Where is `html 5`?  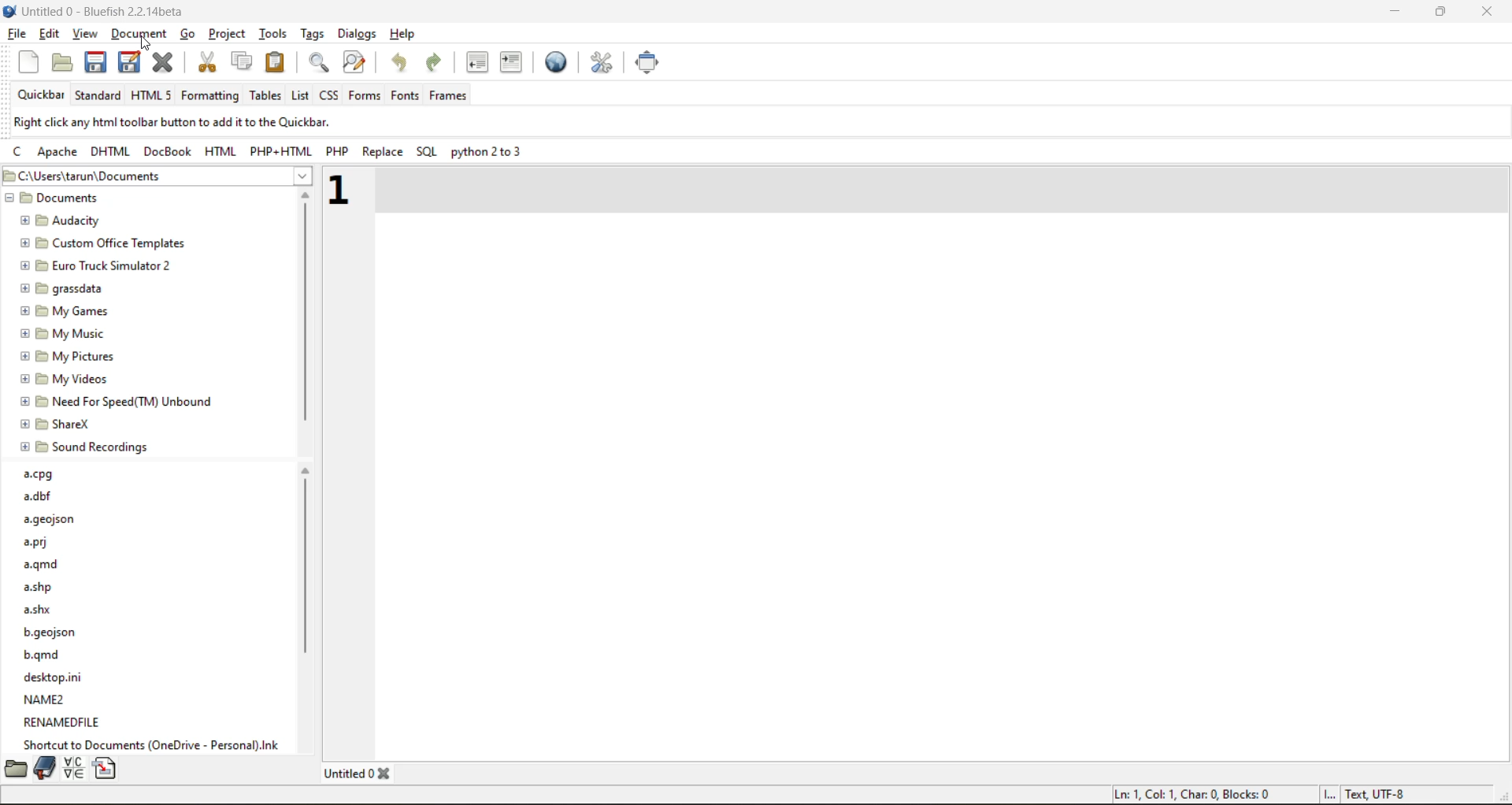 html 5 is located at coordinates (151, 95).